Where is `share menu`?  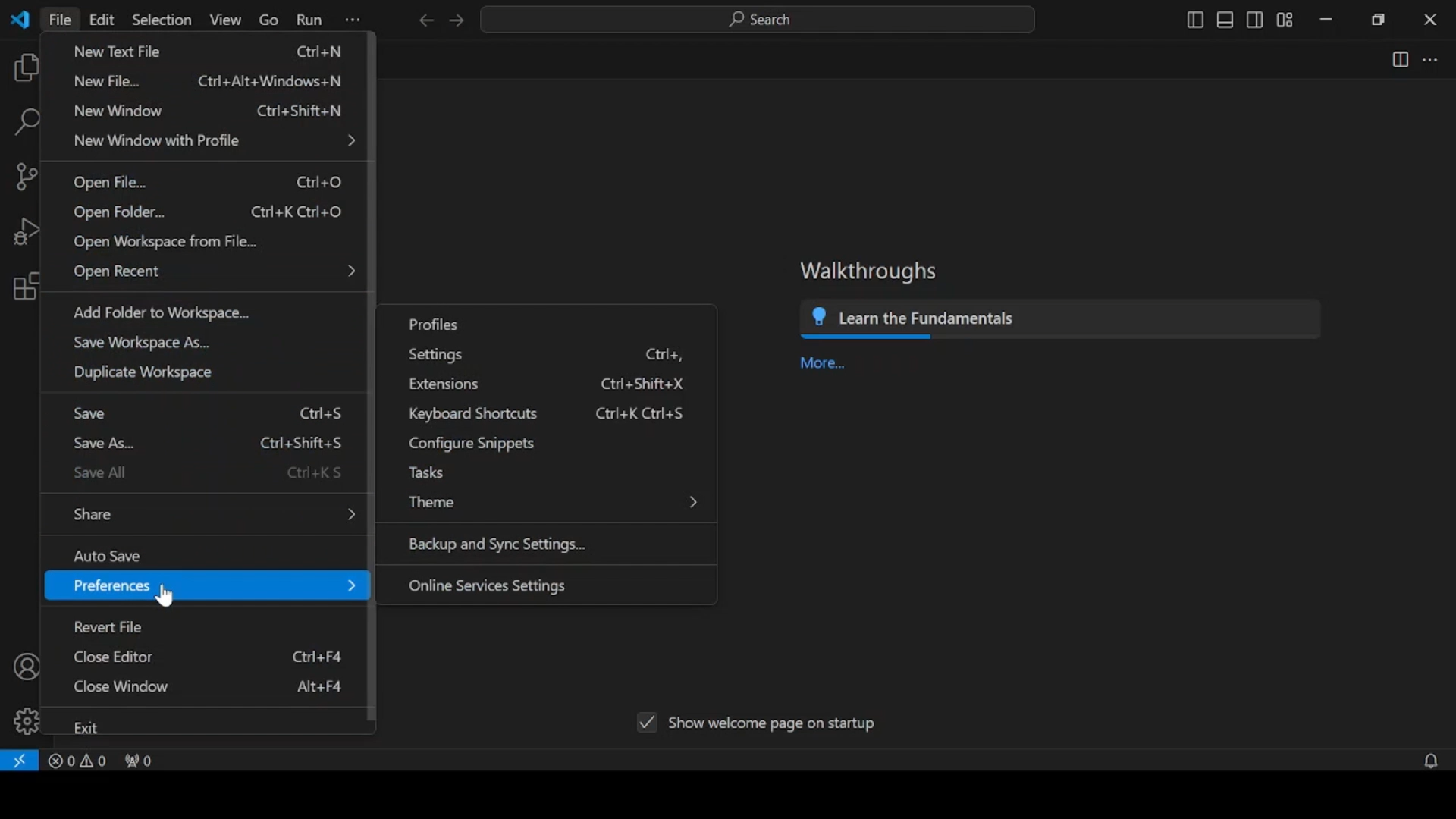
share menu is located at coordinates (210, 515).